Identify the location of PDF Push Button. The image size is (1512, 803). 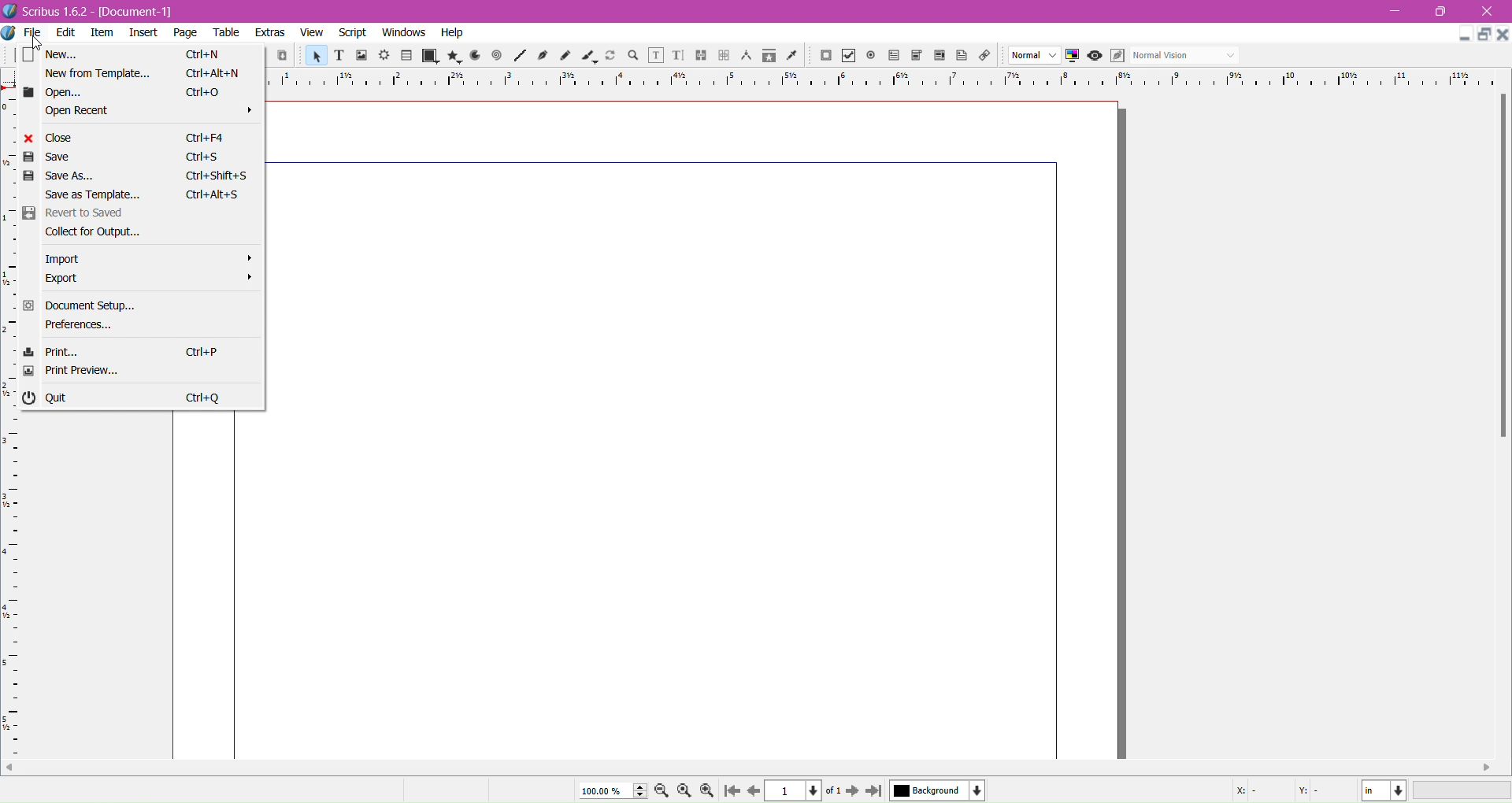
(825, 55).